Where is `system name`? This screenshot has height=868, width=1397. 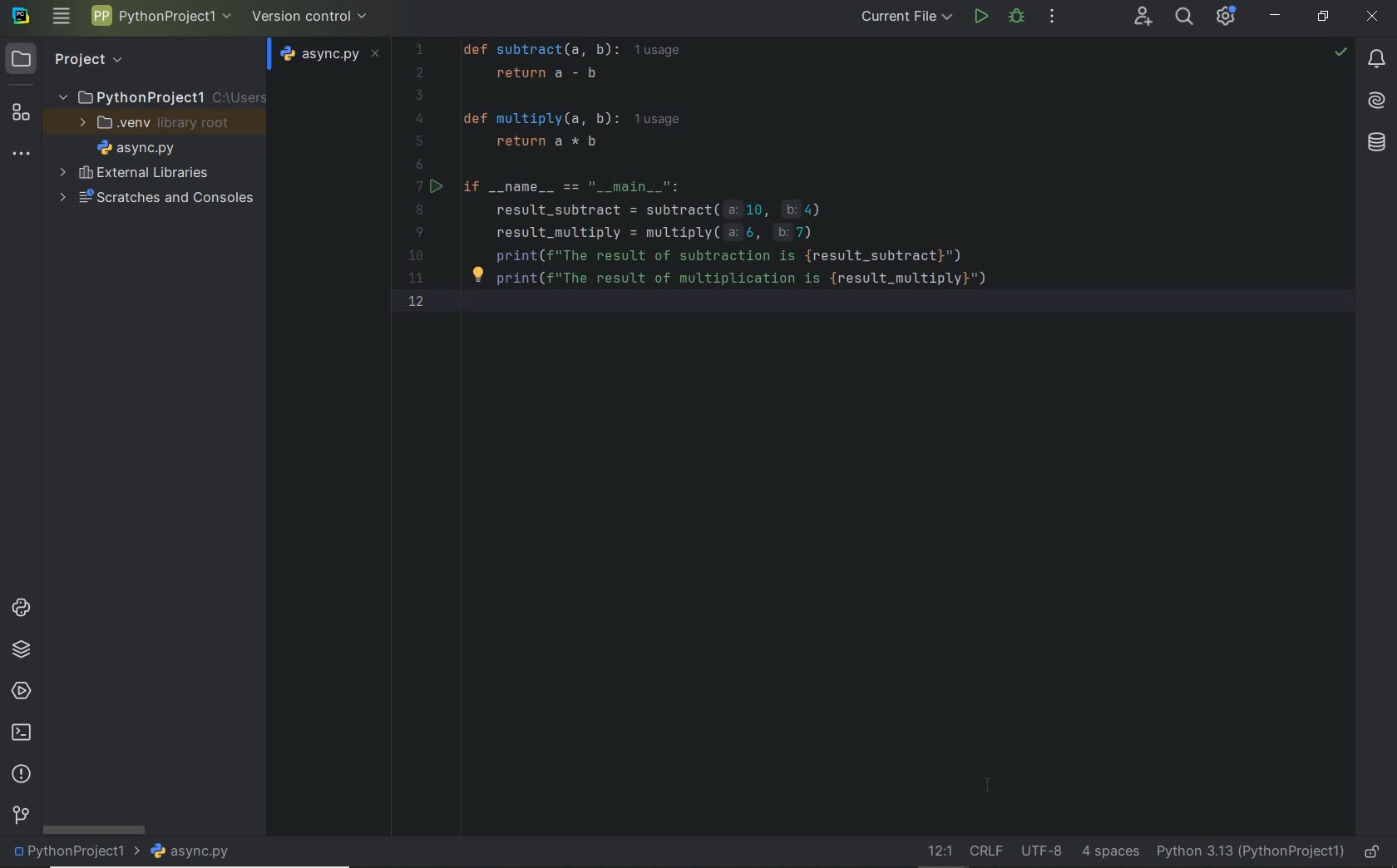
system name is located at coordinates (21, 17).